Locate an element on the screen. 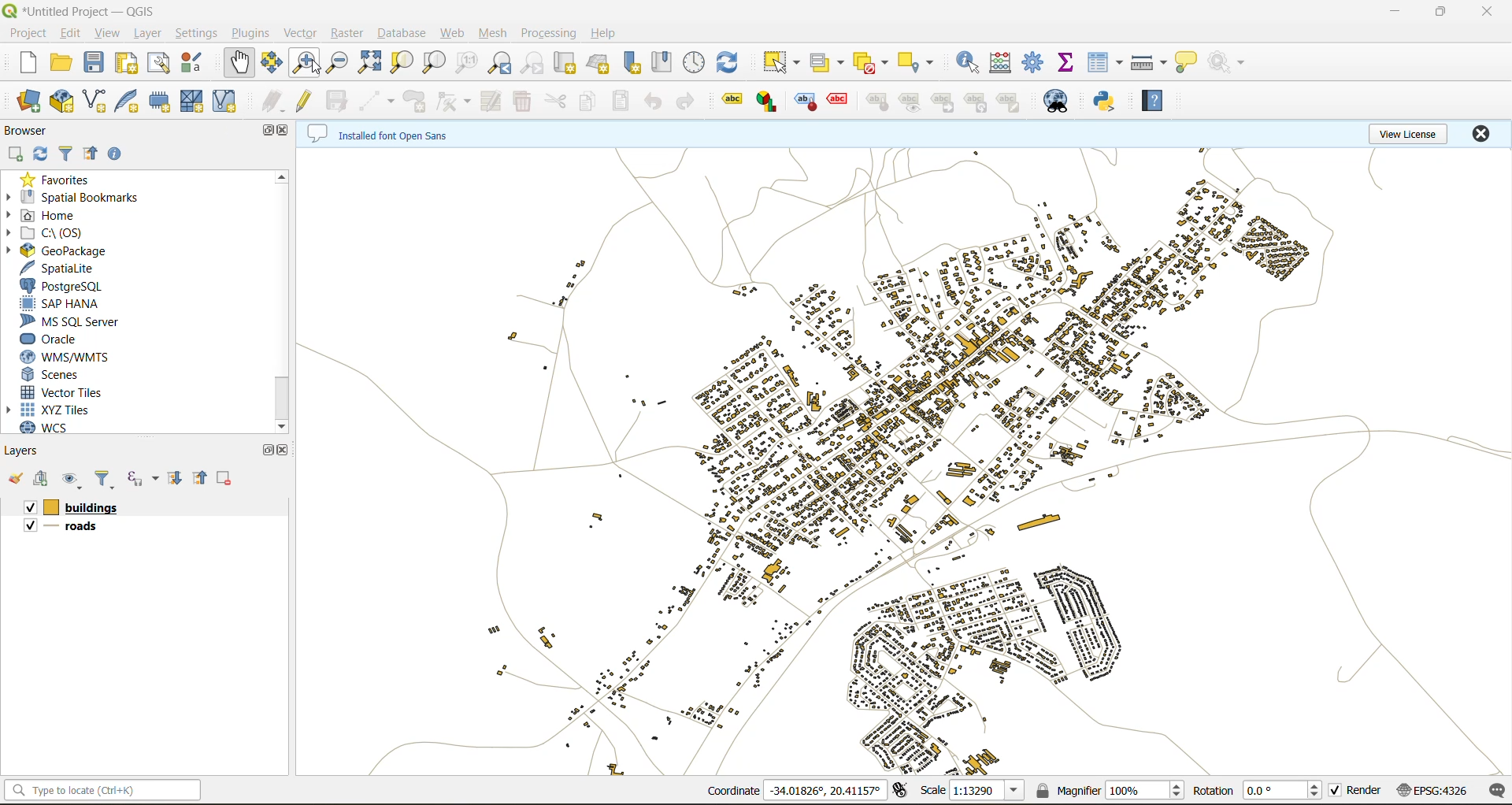 This screenshot has height=805, width=1512. style manager is located at coordinates (199, 61).